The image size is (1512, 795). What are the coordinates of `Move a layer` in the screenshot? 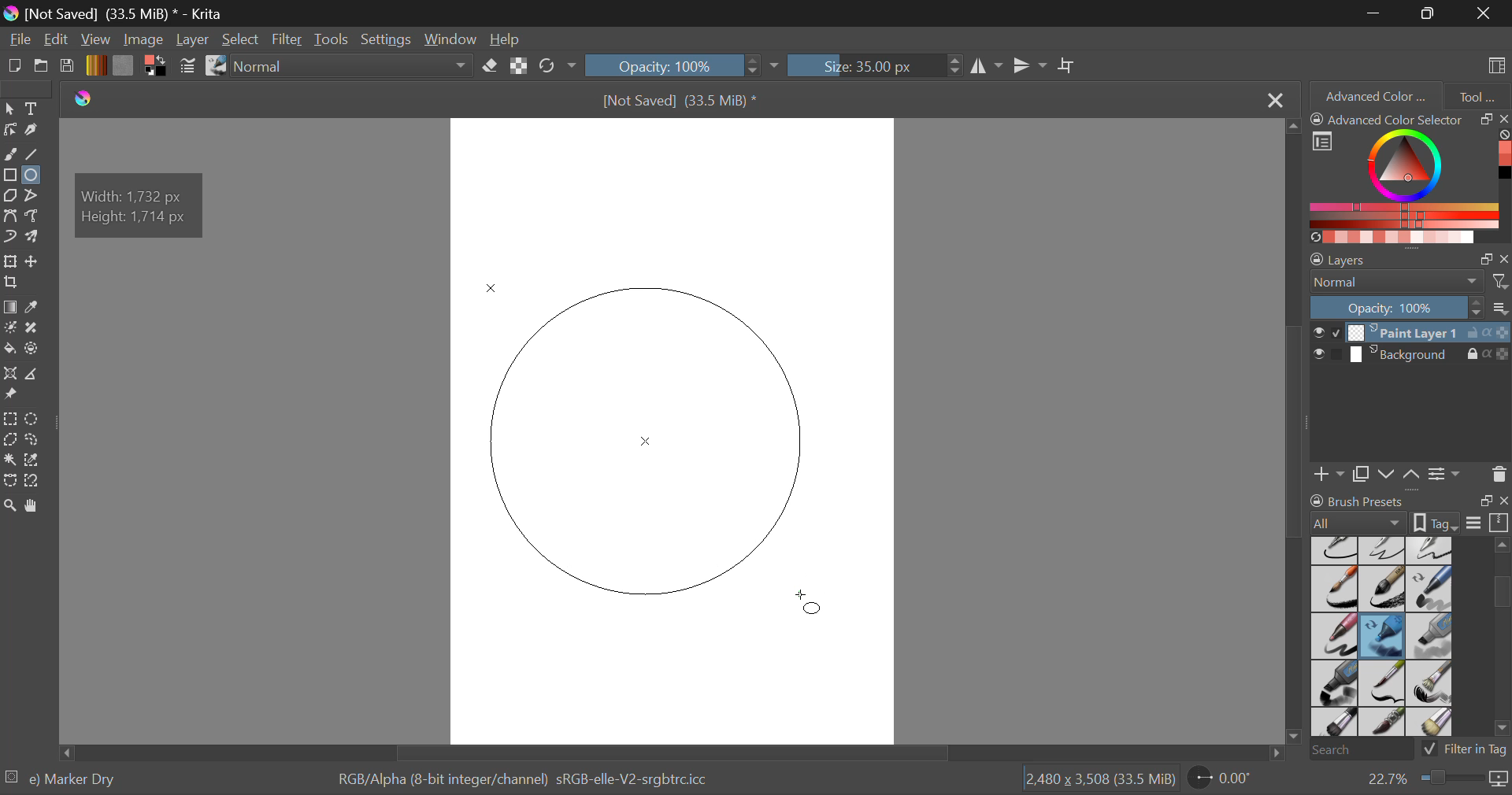 It's located at (34, 261).